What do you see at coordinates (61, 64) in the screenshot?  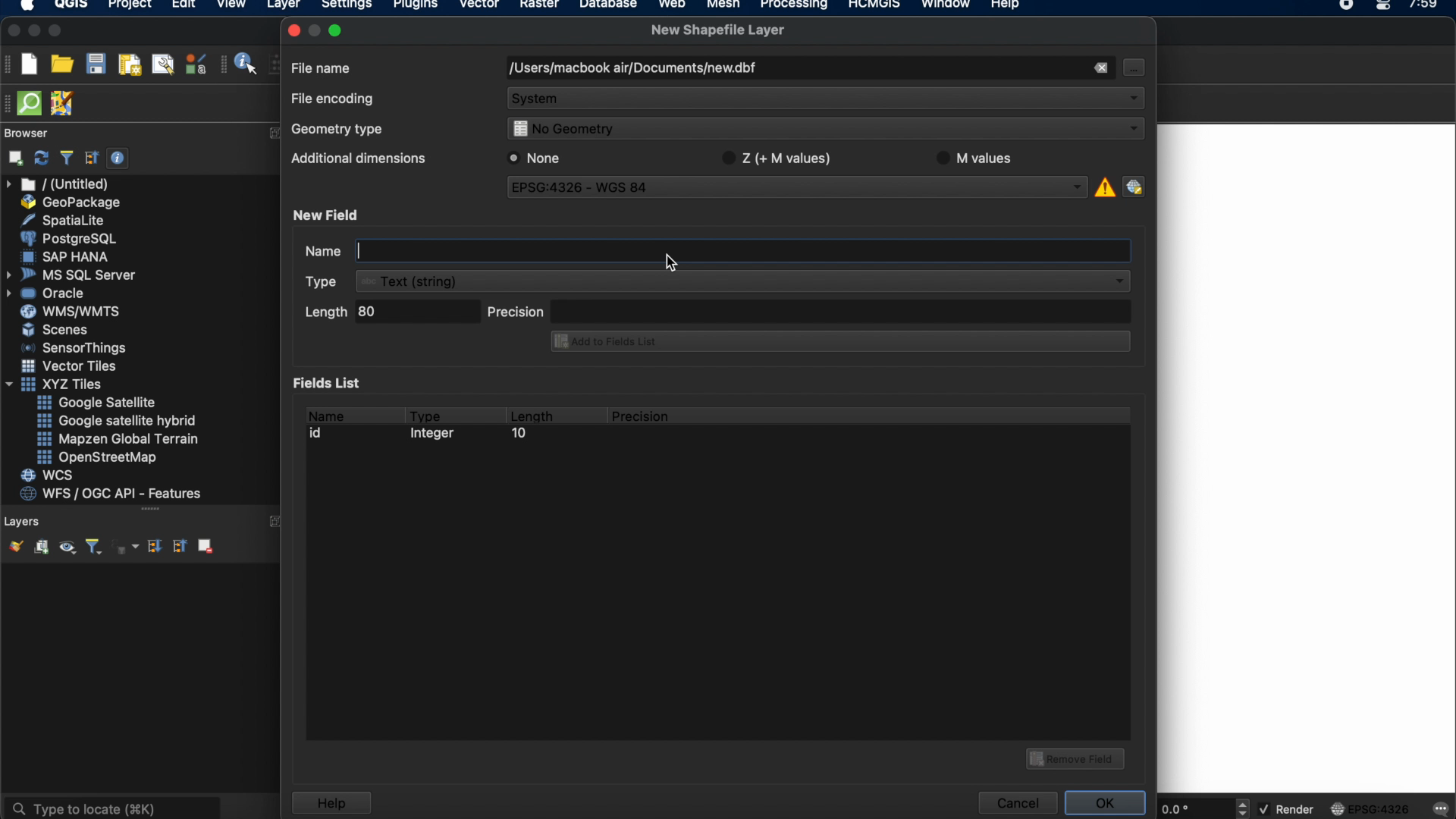 I see `open project` at bounding box center [61, 64].